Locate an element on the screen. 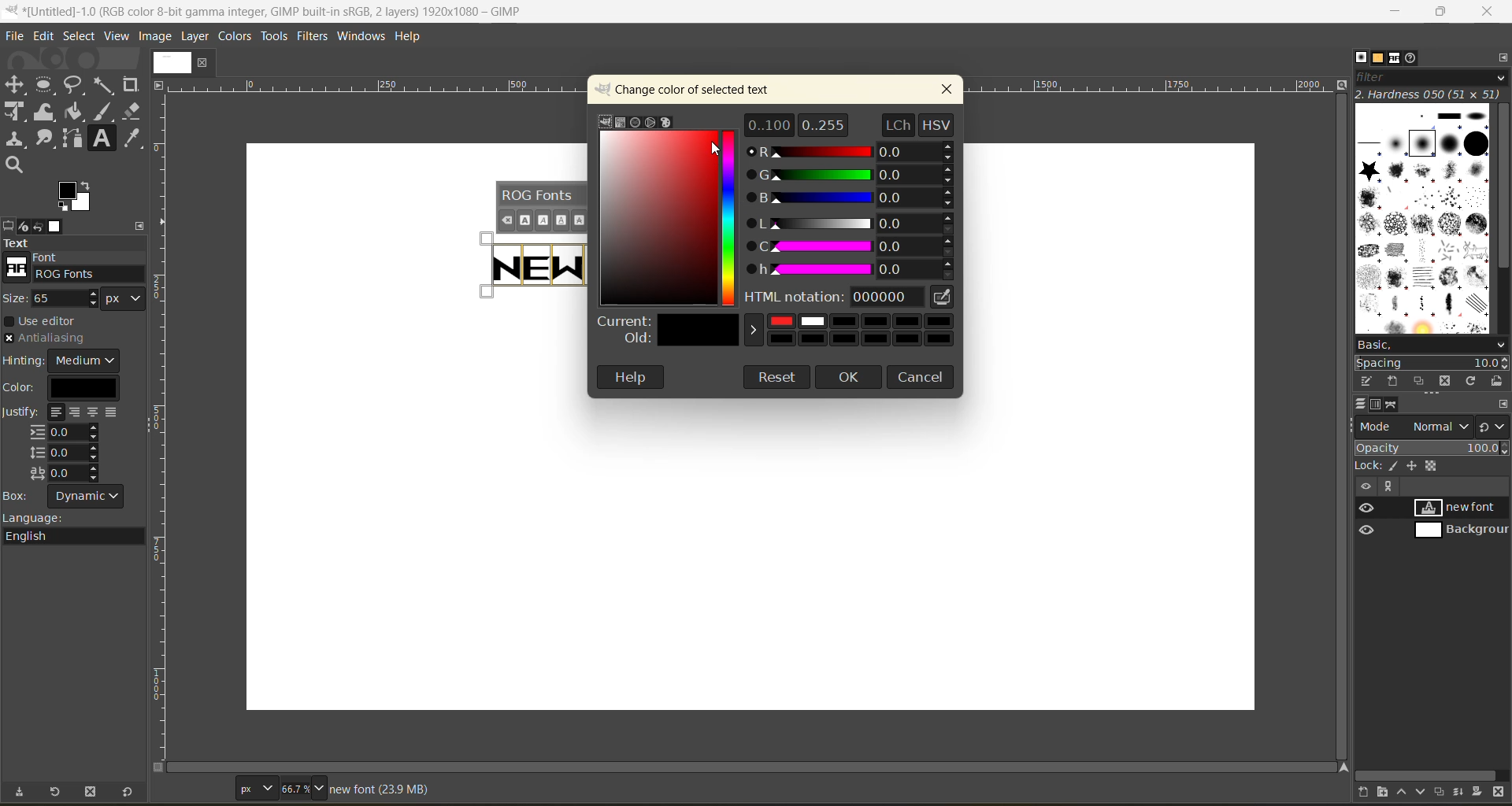 This screenshot has height=806, width=1512. create a duplicate is located at coordinates (1441, 791).